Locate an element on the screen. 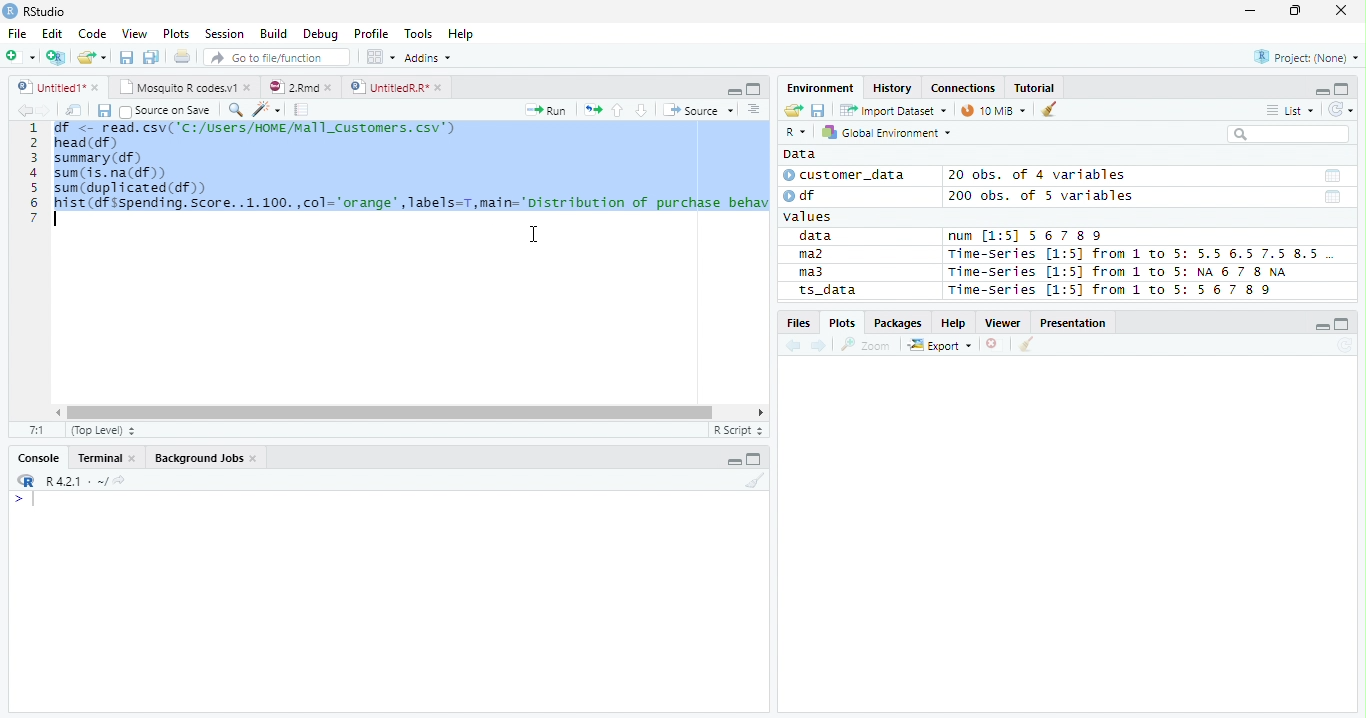 The height and width of the screenshot is (718, 1366). 200 obs. of 5 variables is located at coordinates (1038, 198).